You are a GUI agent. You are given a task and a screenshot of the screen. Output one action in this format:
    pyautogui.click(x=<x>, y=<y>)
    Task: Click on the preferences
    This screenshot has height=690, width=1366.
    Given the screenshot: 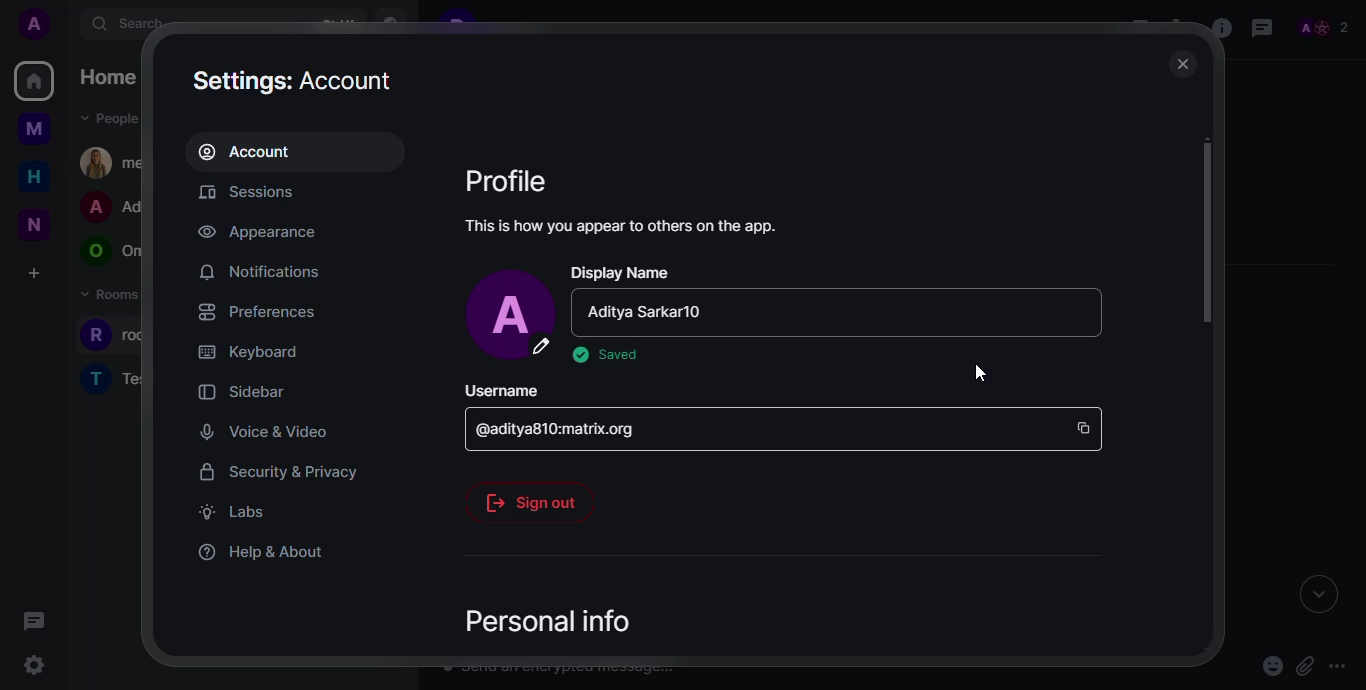 What is the action you would take?
    pyautogui.click(x=257, y=311)
    